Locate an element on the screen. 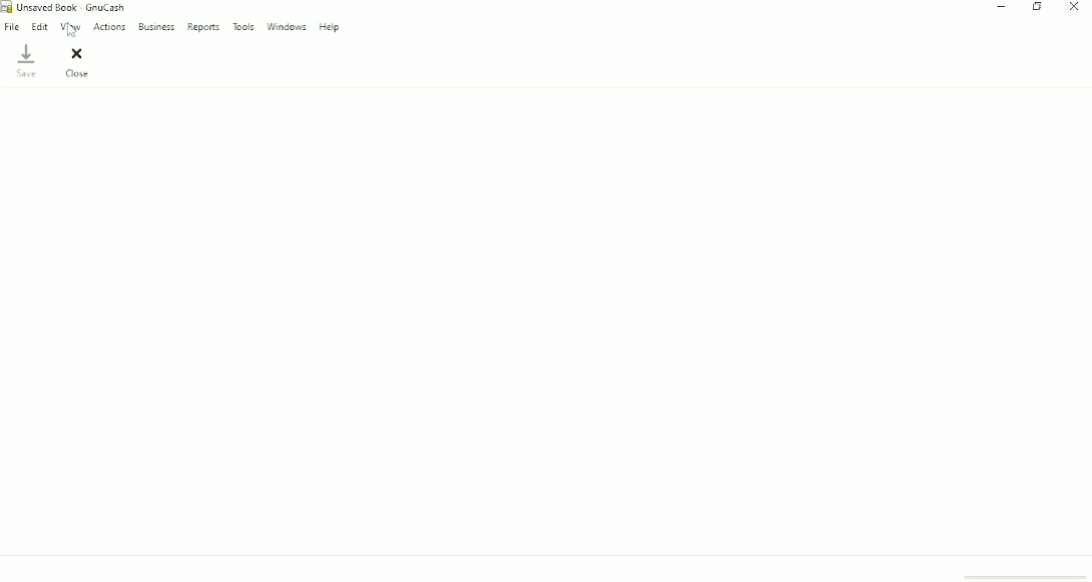  Close is located at coordinates (77, 62).